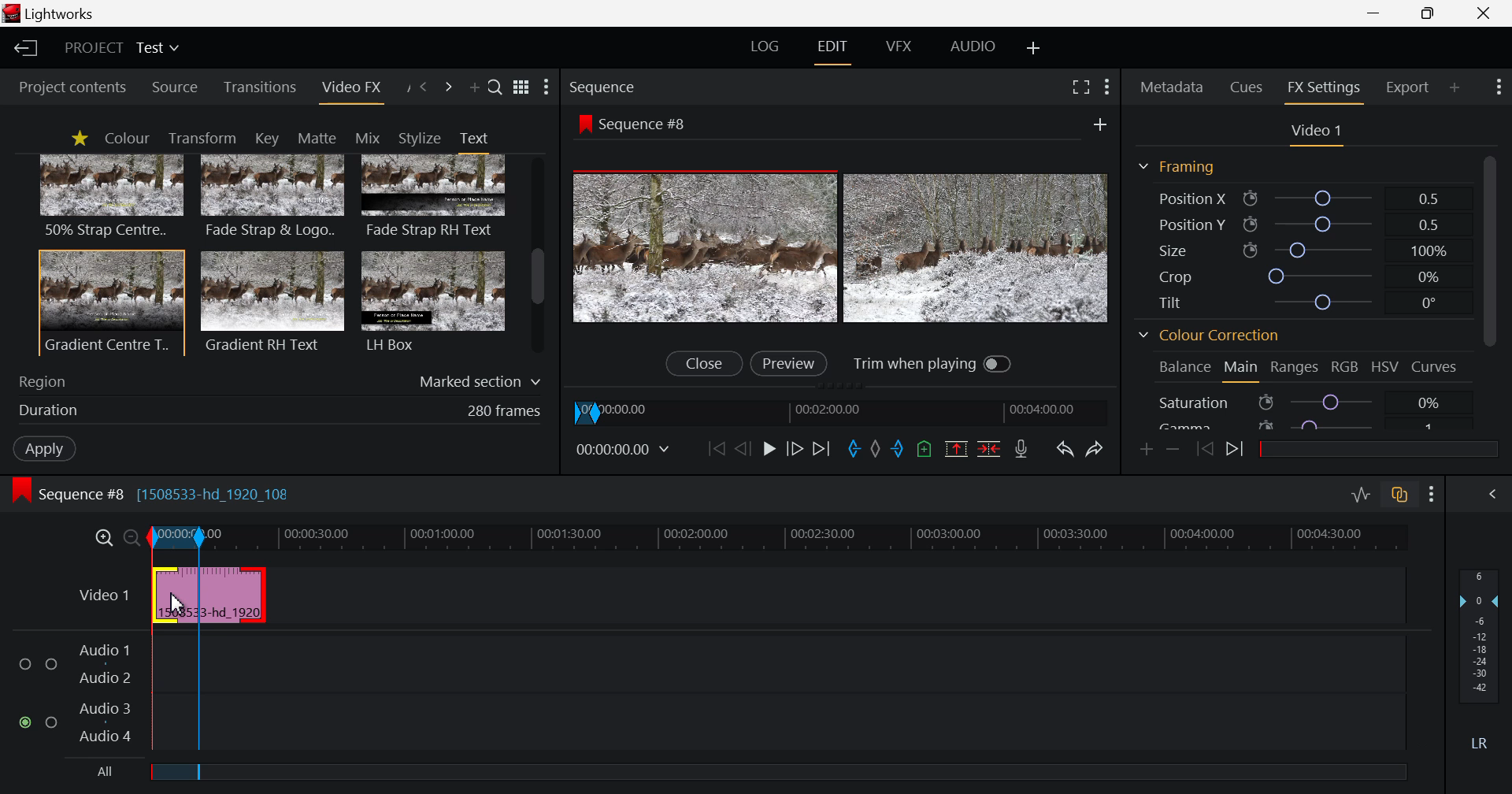 The height and width of the screenshot is (794, 1512). I want to click on DRAG_TO Cursor Position, so click(176, 601).